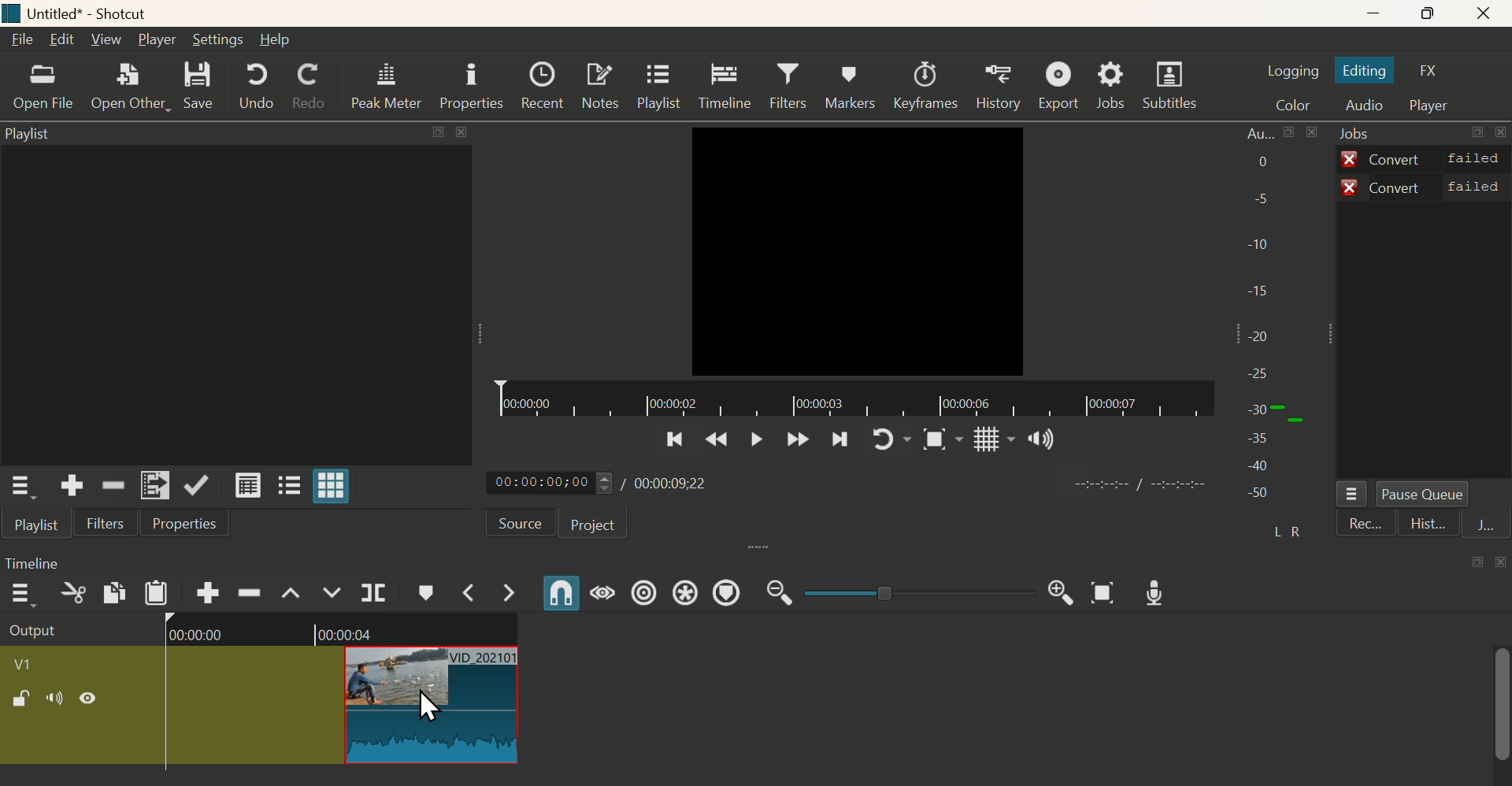  Describe the element at coordinates (1142, 485) in the screenshot. I see `time` at that location.